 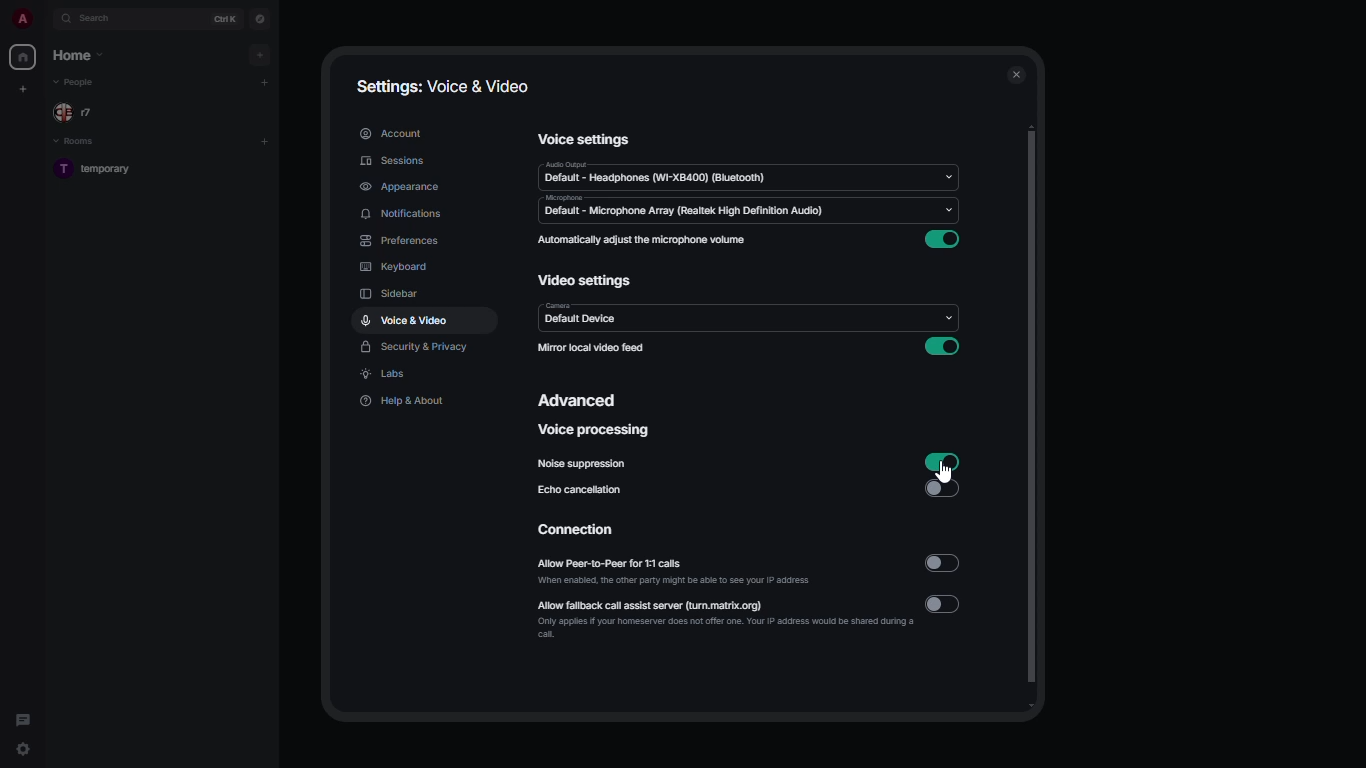 What do you see at coordinates (677, 572) in the screenshot?
I see `allow peer-to-peer for 1:1 calls` at bounding box center [677, 572].